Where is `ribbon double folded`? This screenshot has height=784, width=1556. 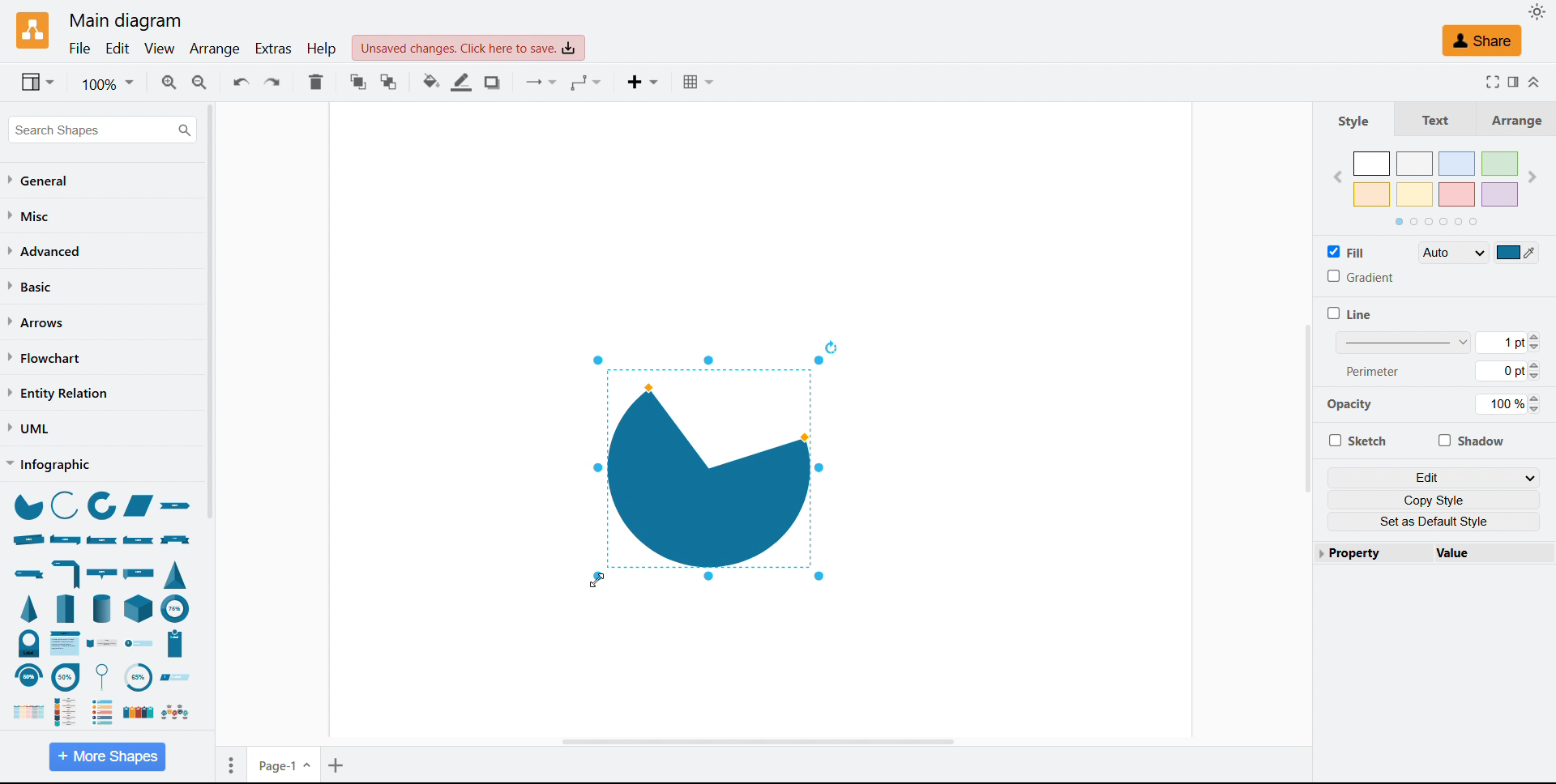 ribbon double folded is located at coordinates (64, 539).